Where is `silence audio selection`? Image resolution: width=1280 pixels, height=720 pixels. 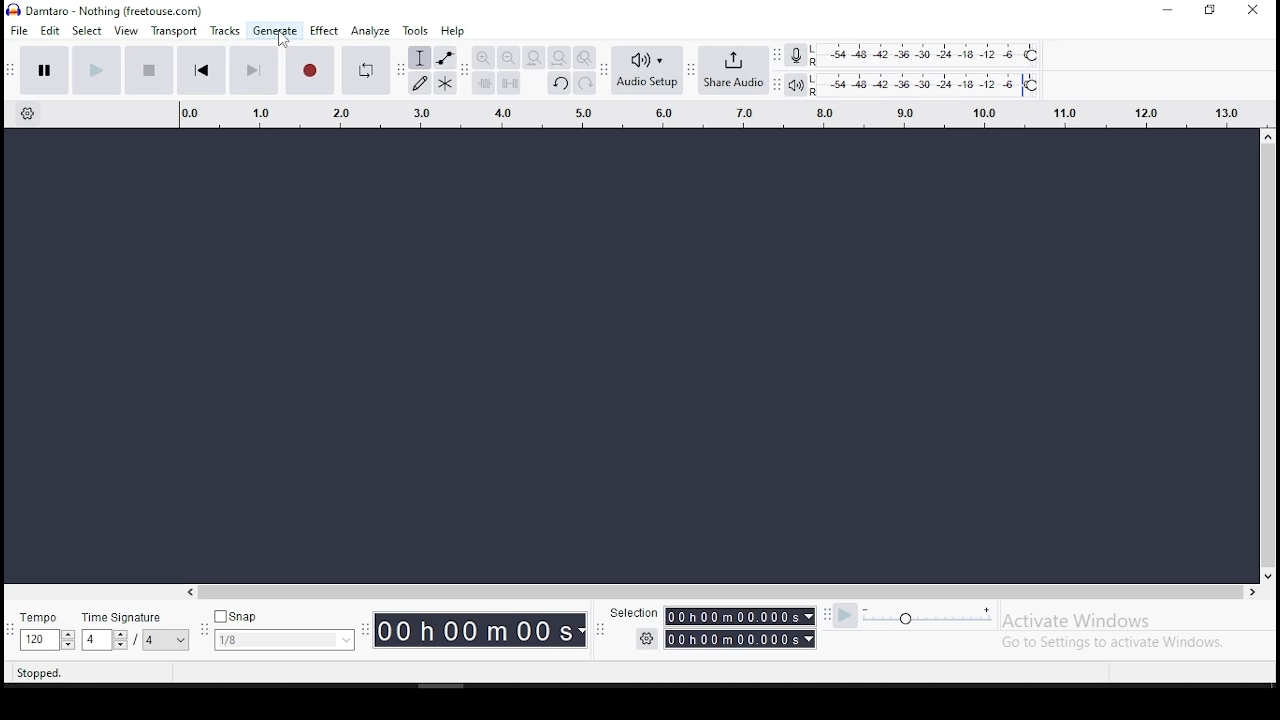 silence audio selection is located at coordinates (510, 83).